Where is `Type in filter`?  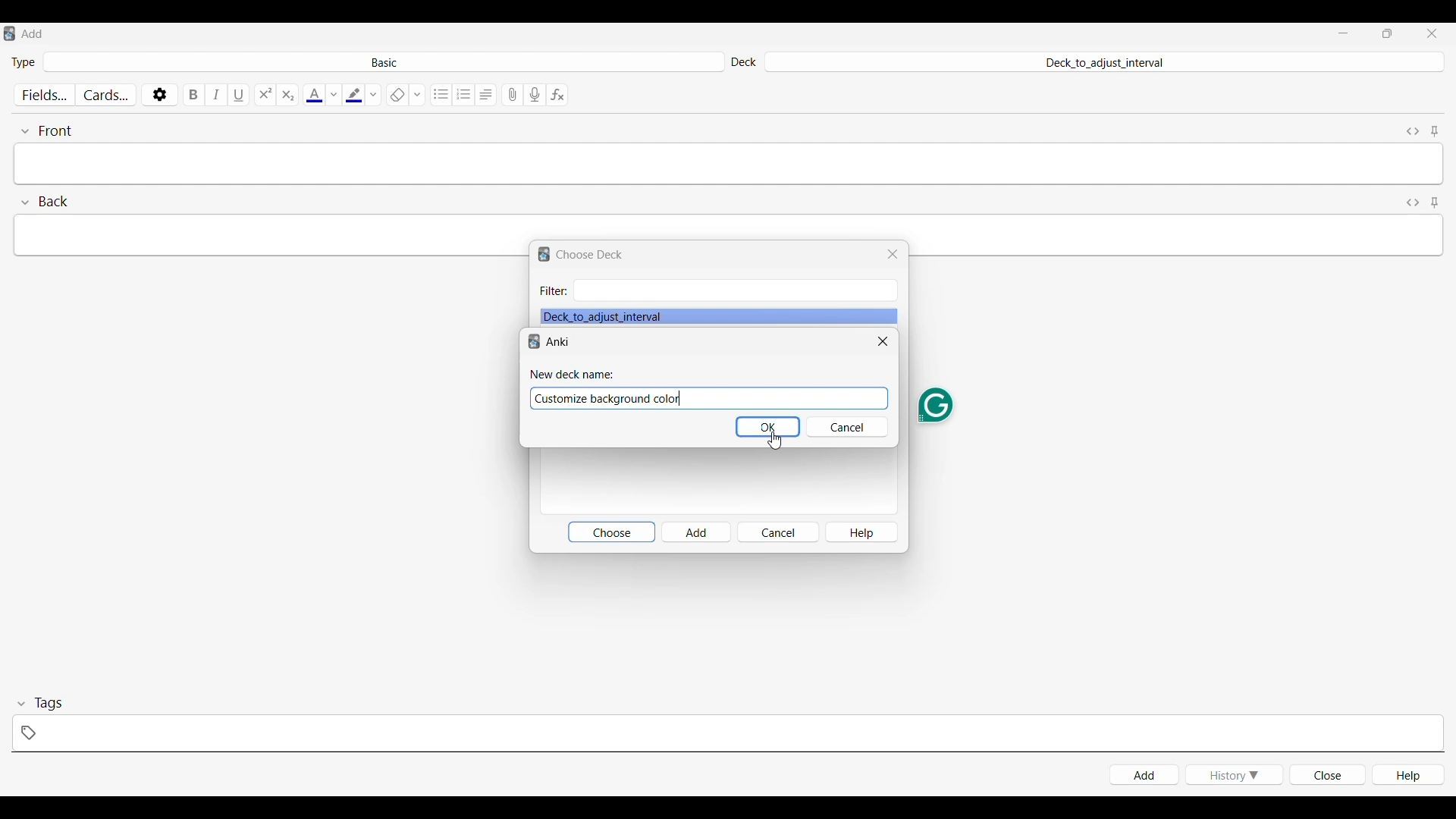 Type in filter is located at coordinates (734, 290).